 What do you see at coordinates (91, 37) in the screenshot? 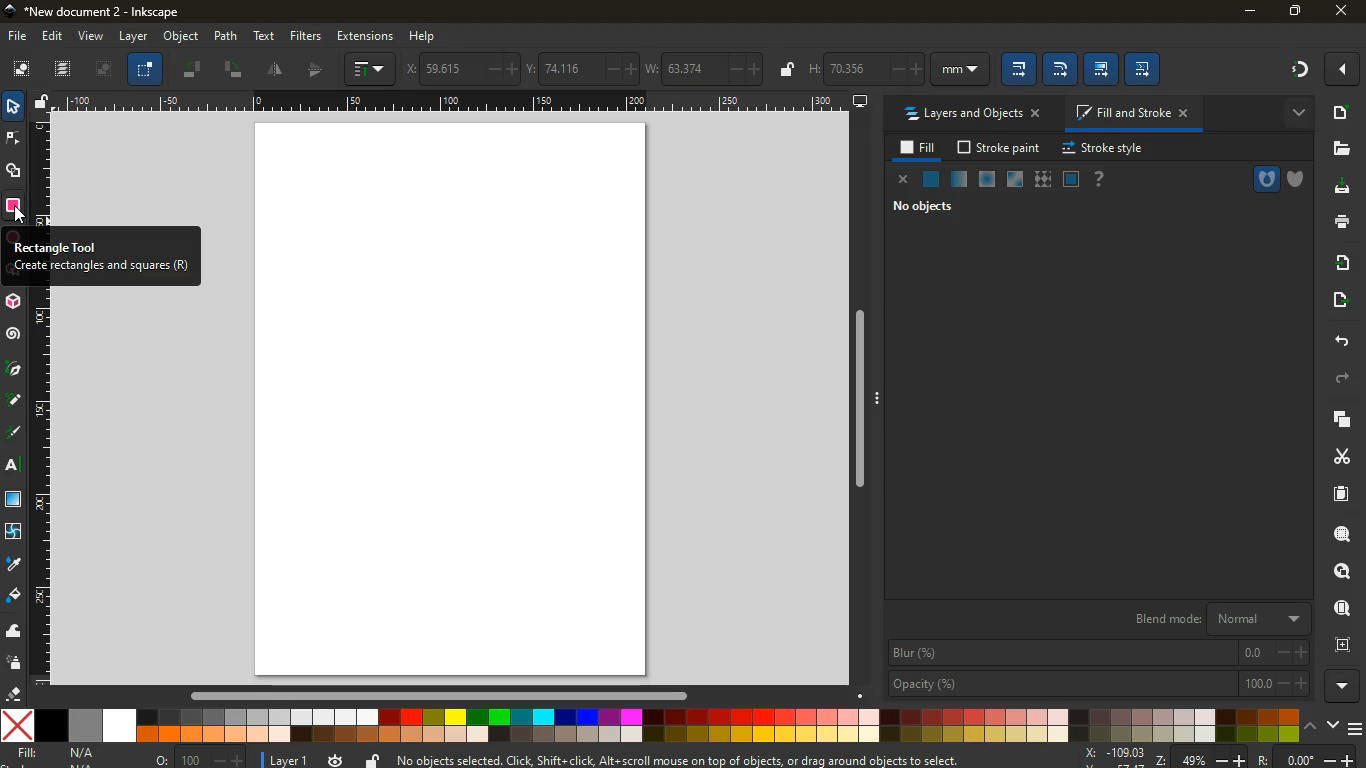
I see `view` at bounding box center [91, 37].